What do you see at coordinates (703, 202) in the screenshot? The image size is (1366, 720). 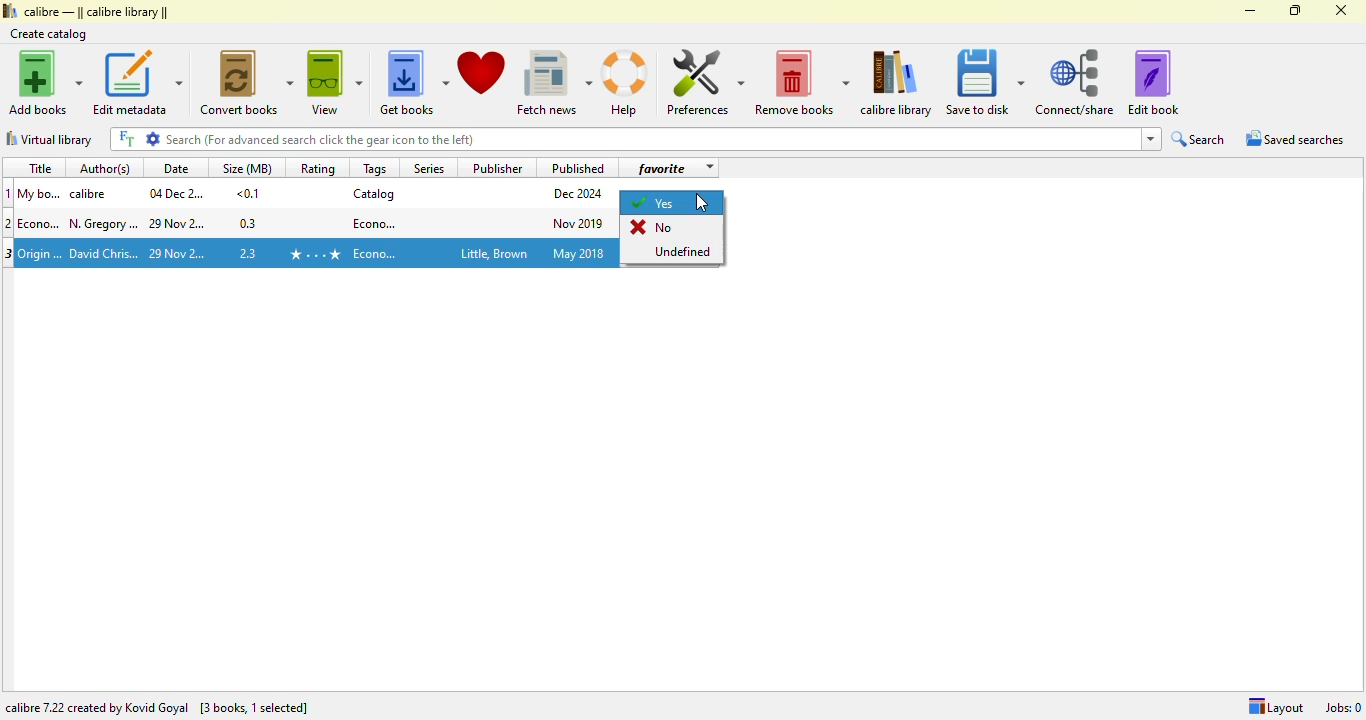 I see `cursor` at bounding box center [703, 202].